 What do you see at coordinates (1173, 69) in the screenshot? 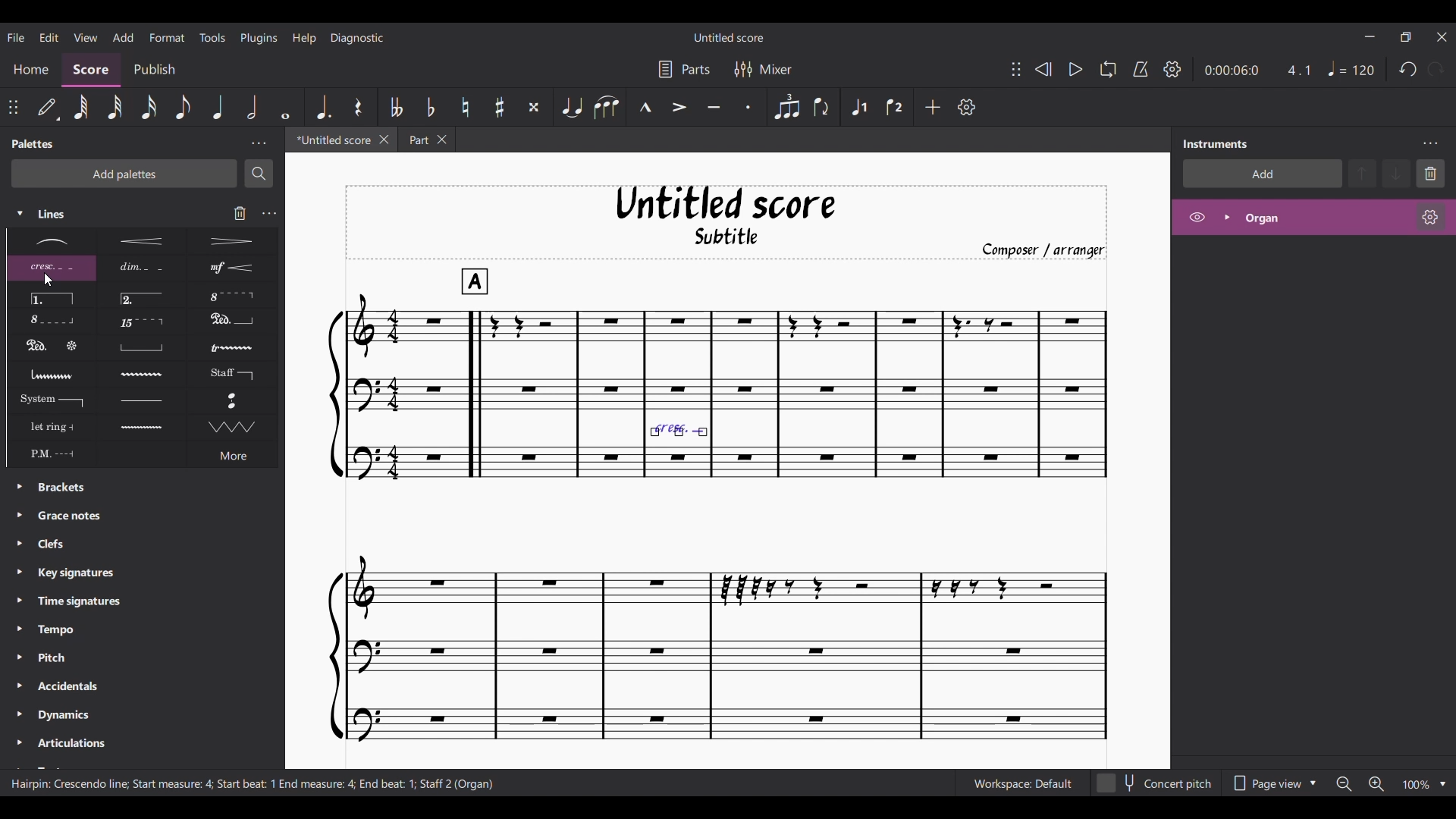
I see `Playback settings` at bounding box center [1173, 69].